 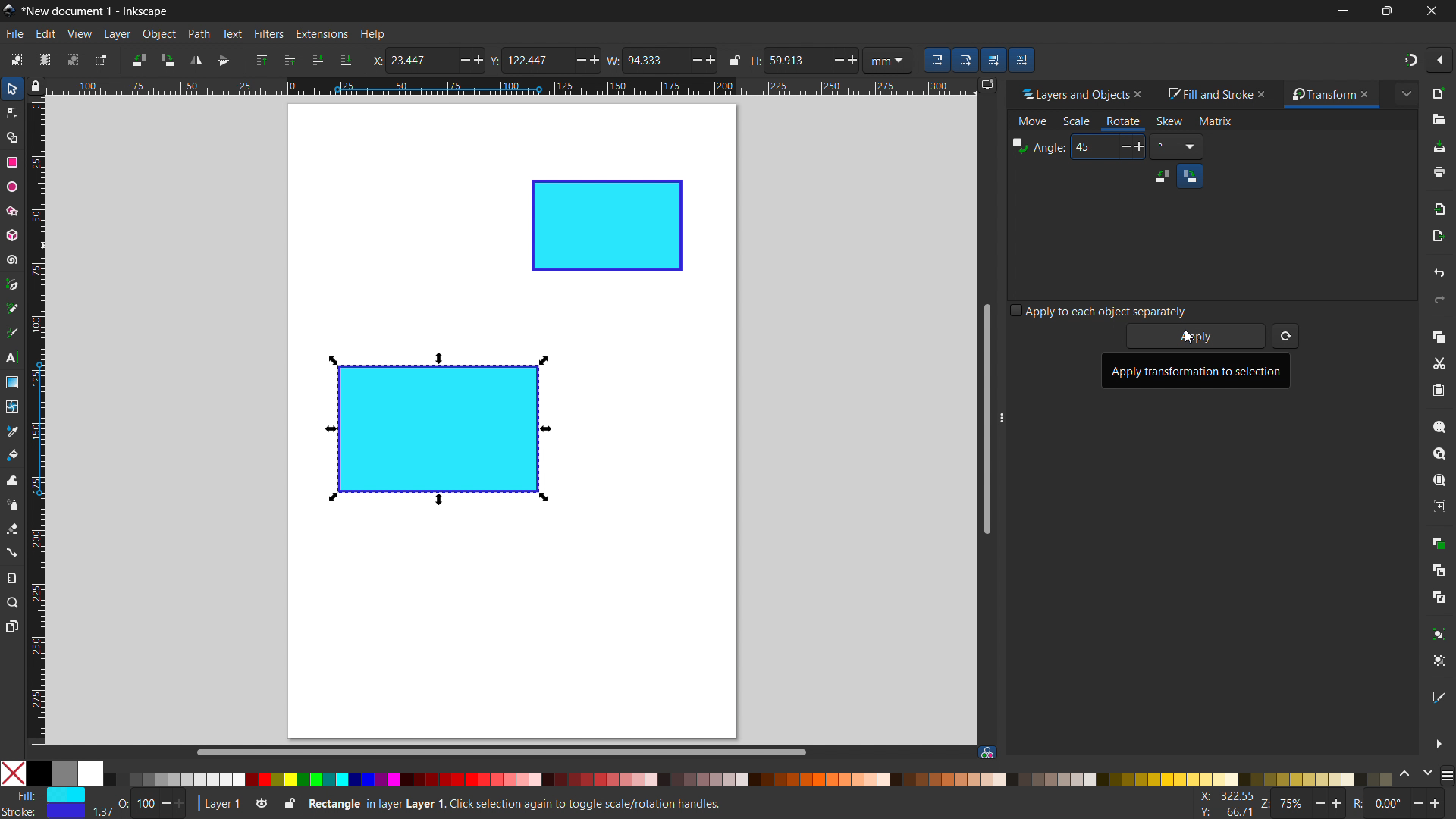 What do you see at coordinates (435, 429) in the screenshot?
I see `object 1` at bounding box center [435, 429].